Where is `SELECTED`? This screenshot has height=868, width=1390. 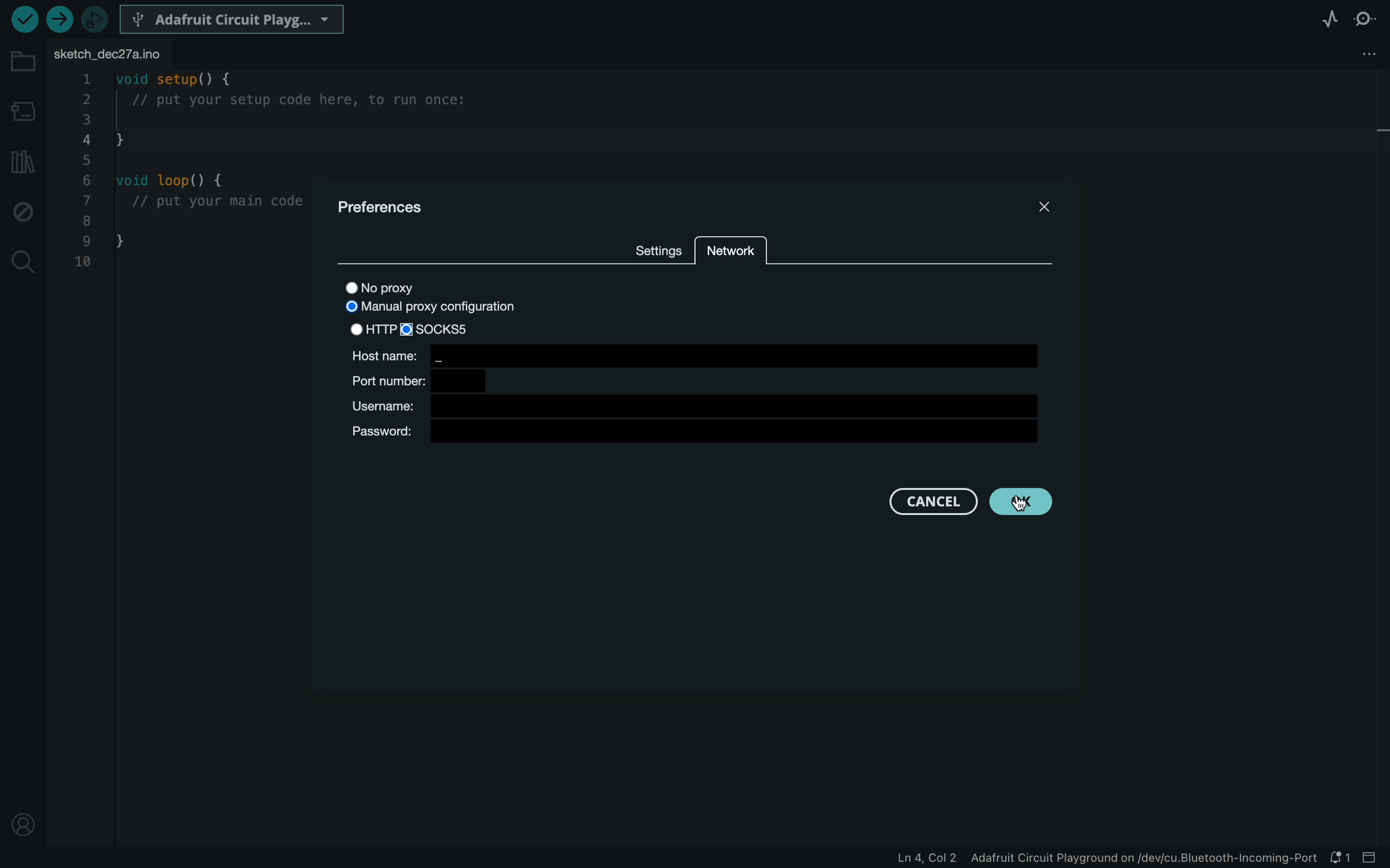
SELECTED is located at coordinates (442, 330).